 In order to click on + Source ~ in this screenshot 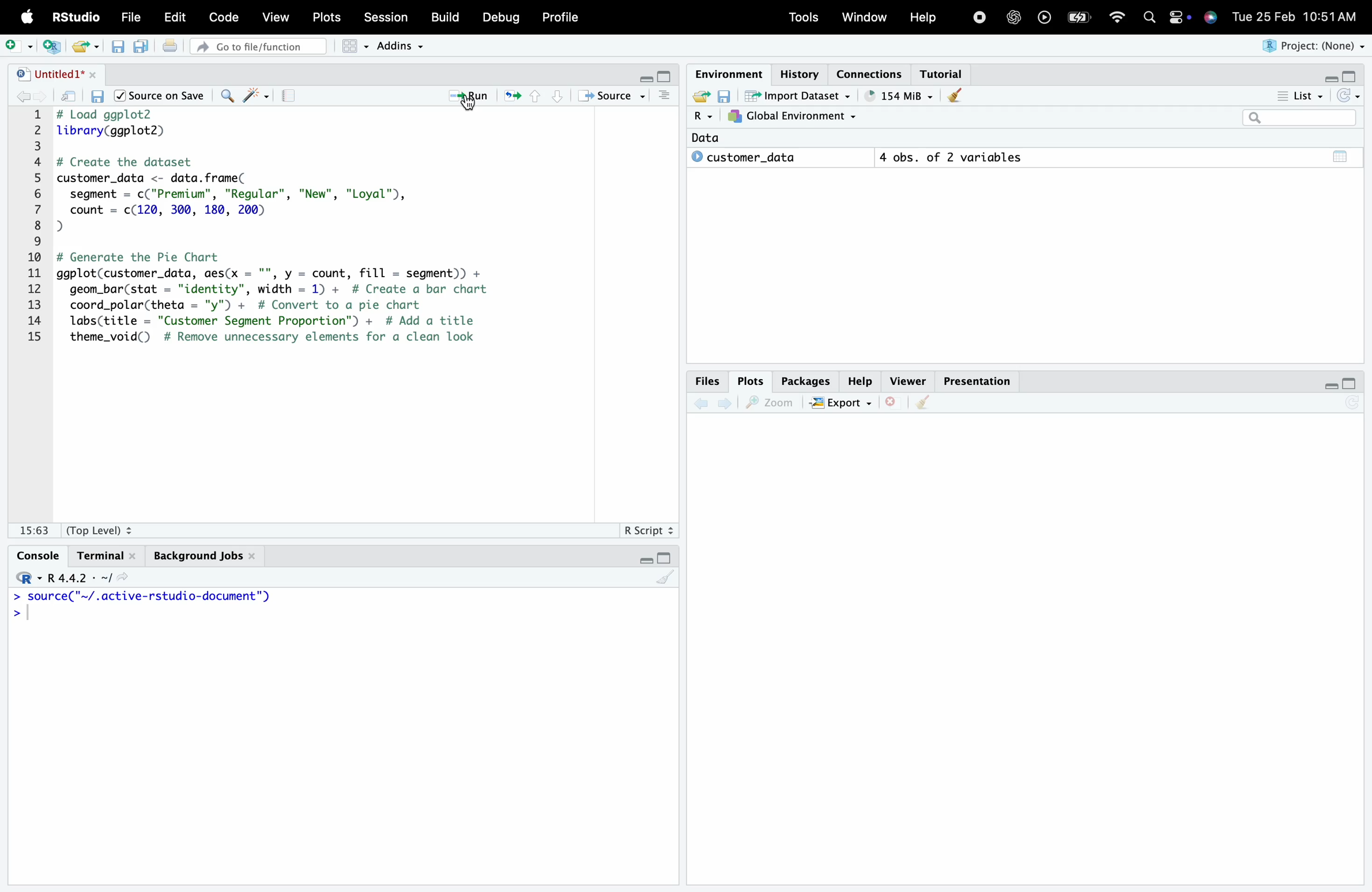, I will do `click(613, 96)`.